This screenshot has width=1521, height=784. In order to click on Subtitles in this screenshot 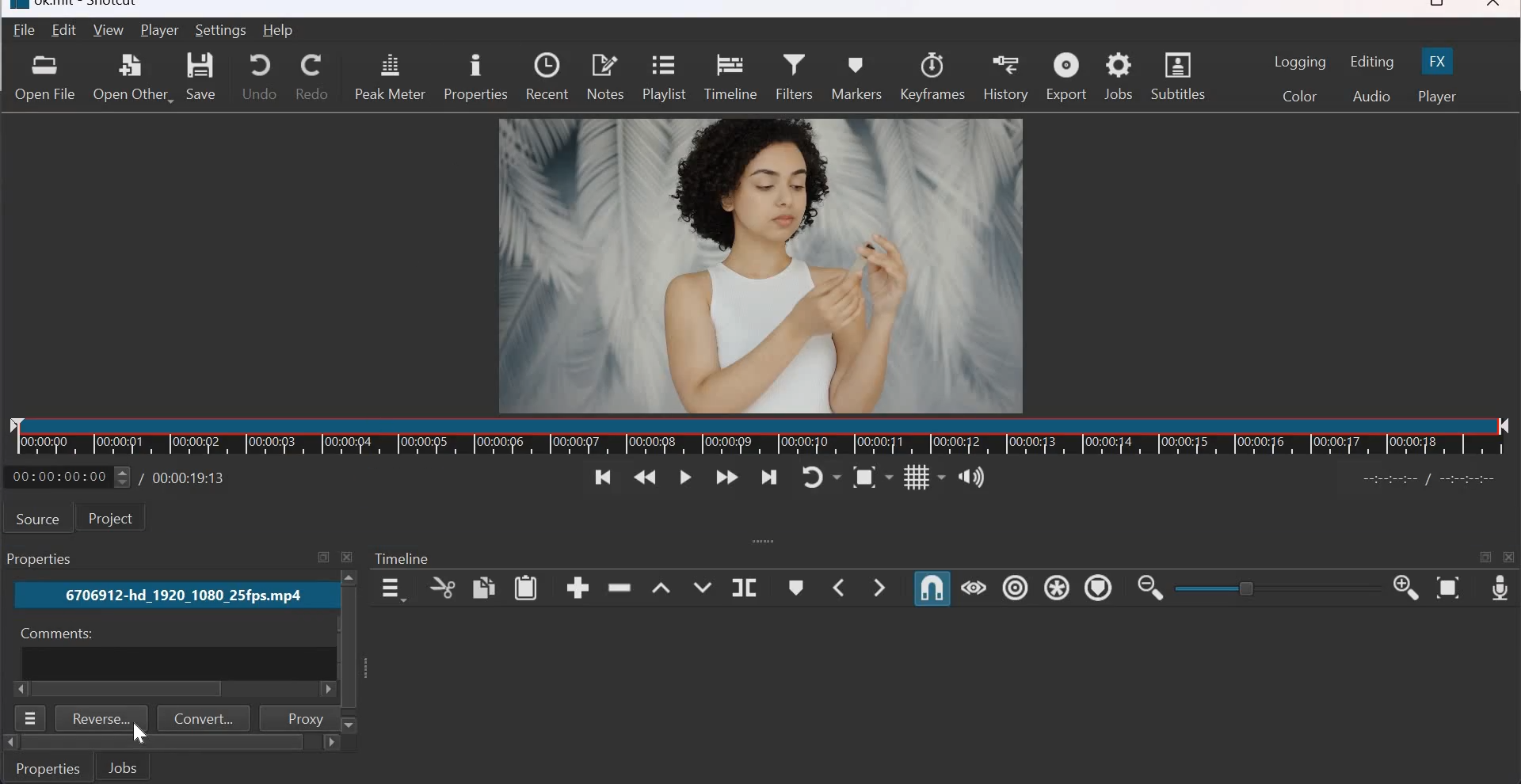, I will do `click(1177, 74)`.